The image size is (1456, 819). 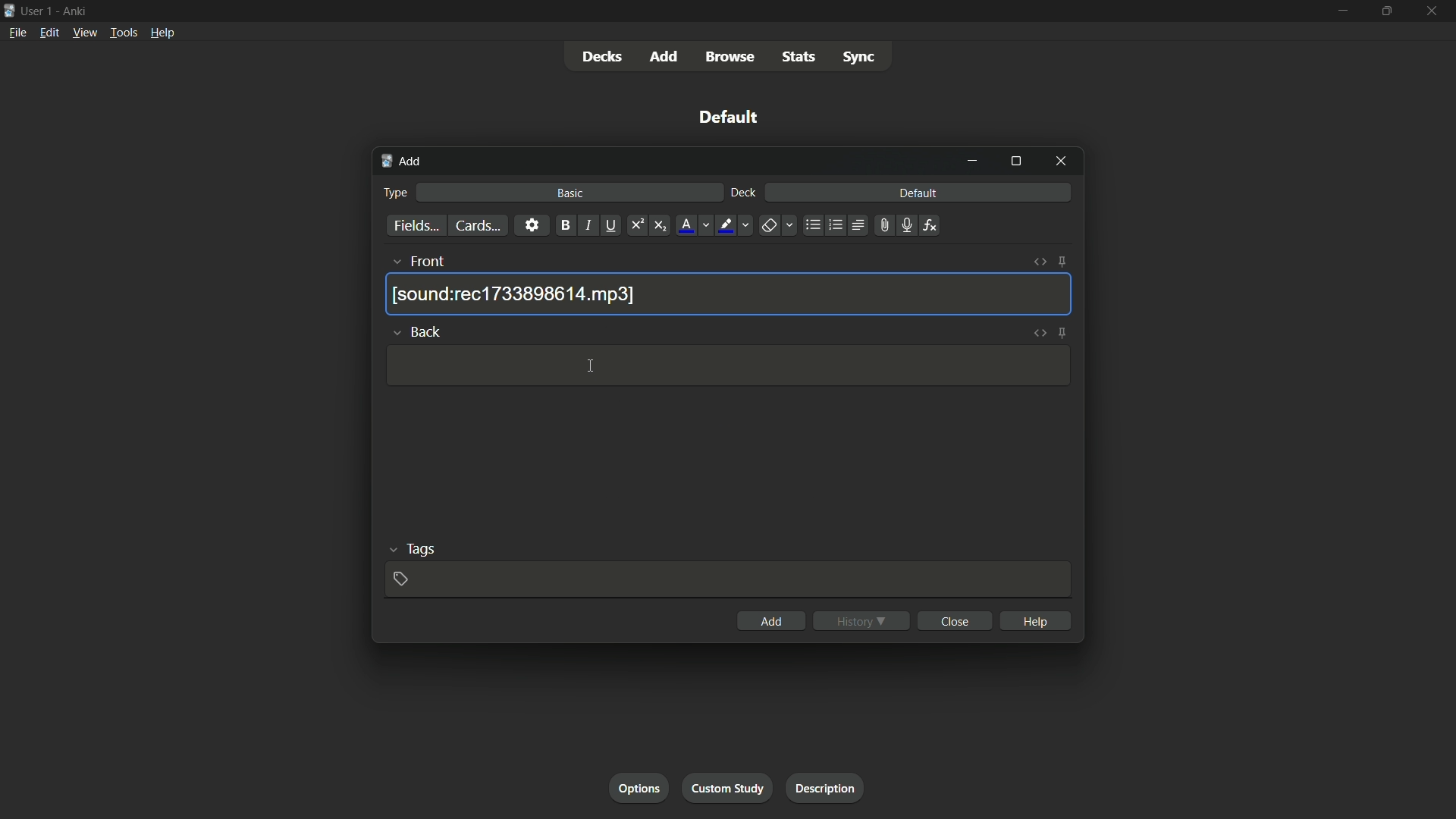 What do you see at coordinates (729, 117) in the screenshot?
I see `default` at bounding box center [729, 117].